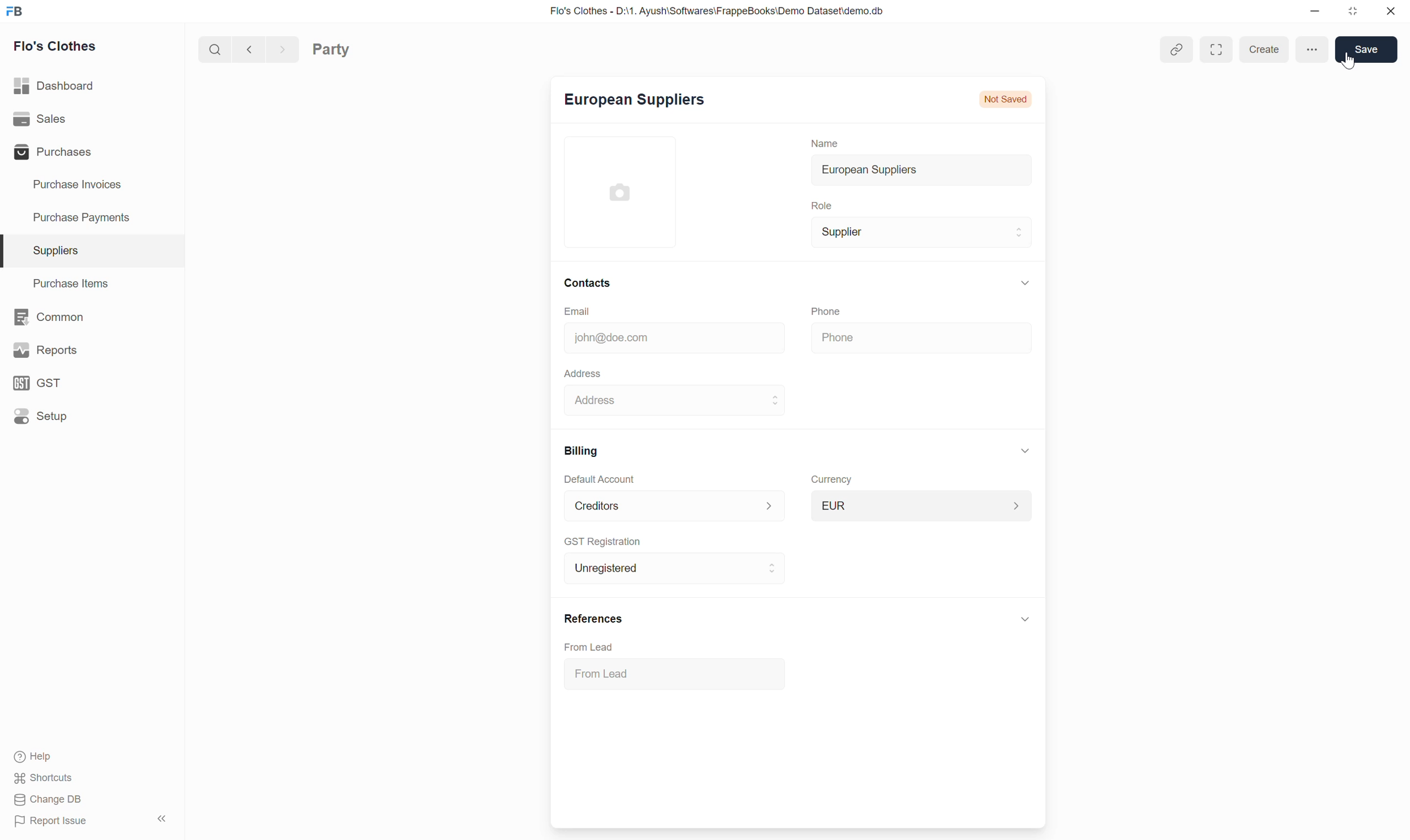  Describe the element at coordinates (50, 153) in the screenshot. I see `purchases` at that location.